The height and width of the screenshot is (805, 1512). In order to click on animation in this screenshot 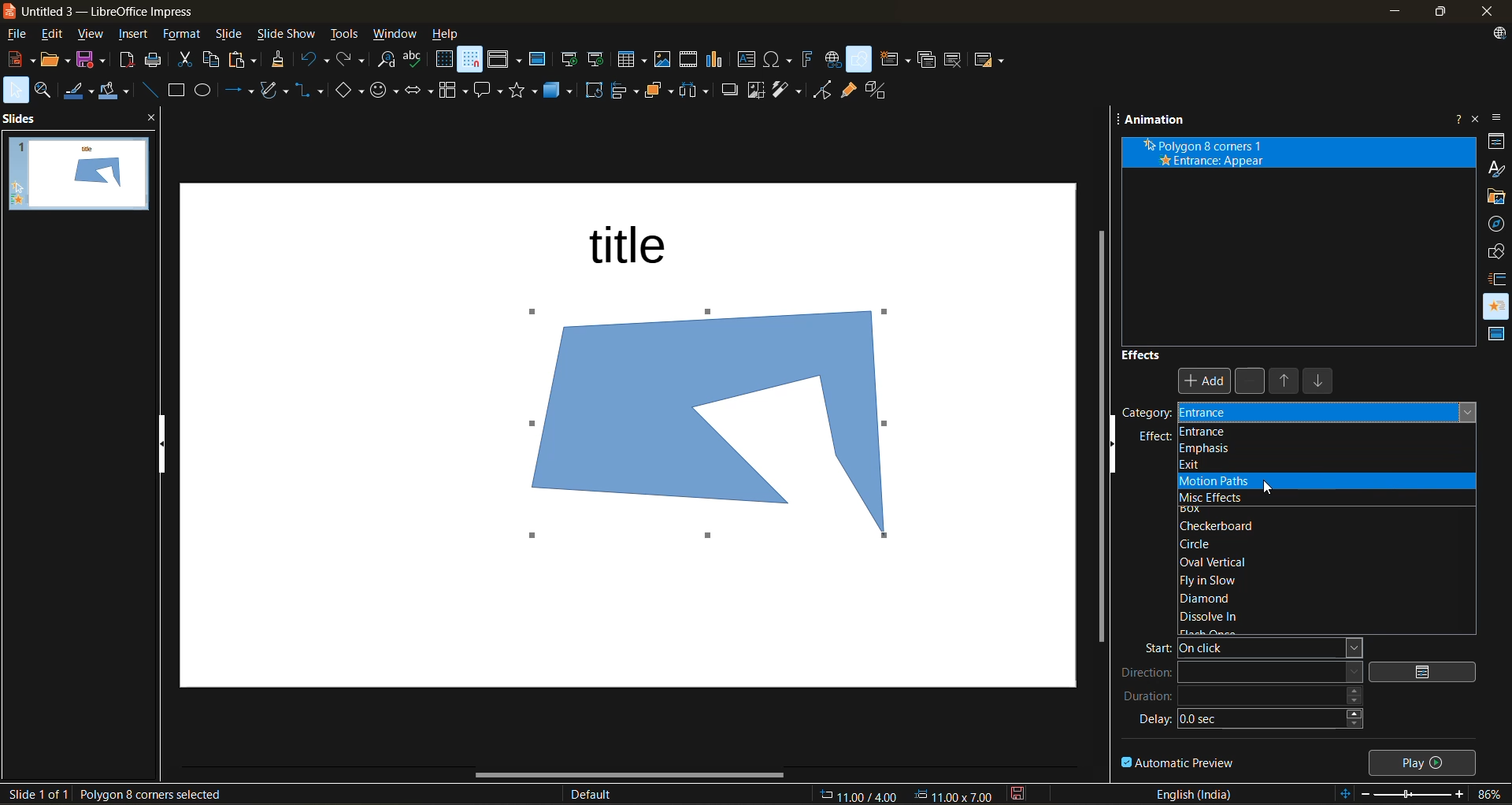, I will do `click(1492, 304)`.